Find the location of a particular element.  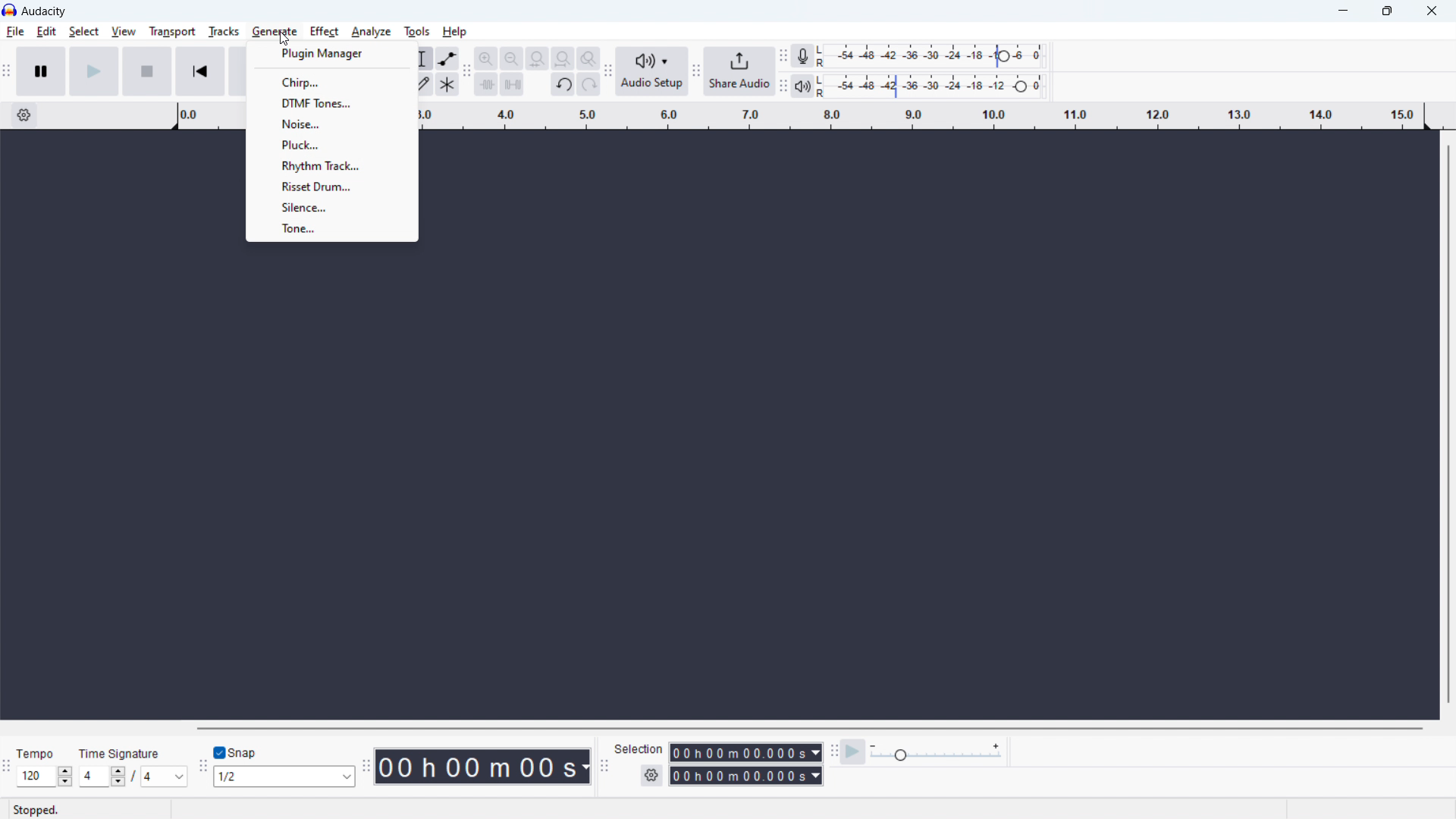

maximize is located at coordinates (1386, 10).